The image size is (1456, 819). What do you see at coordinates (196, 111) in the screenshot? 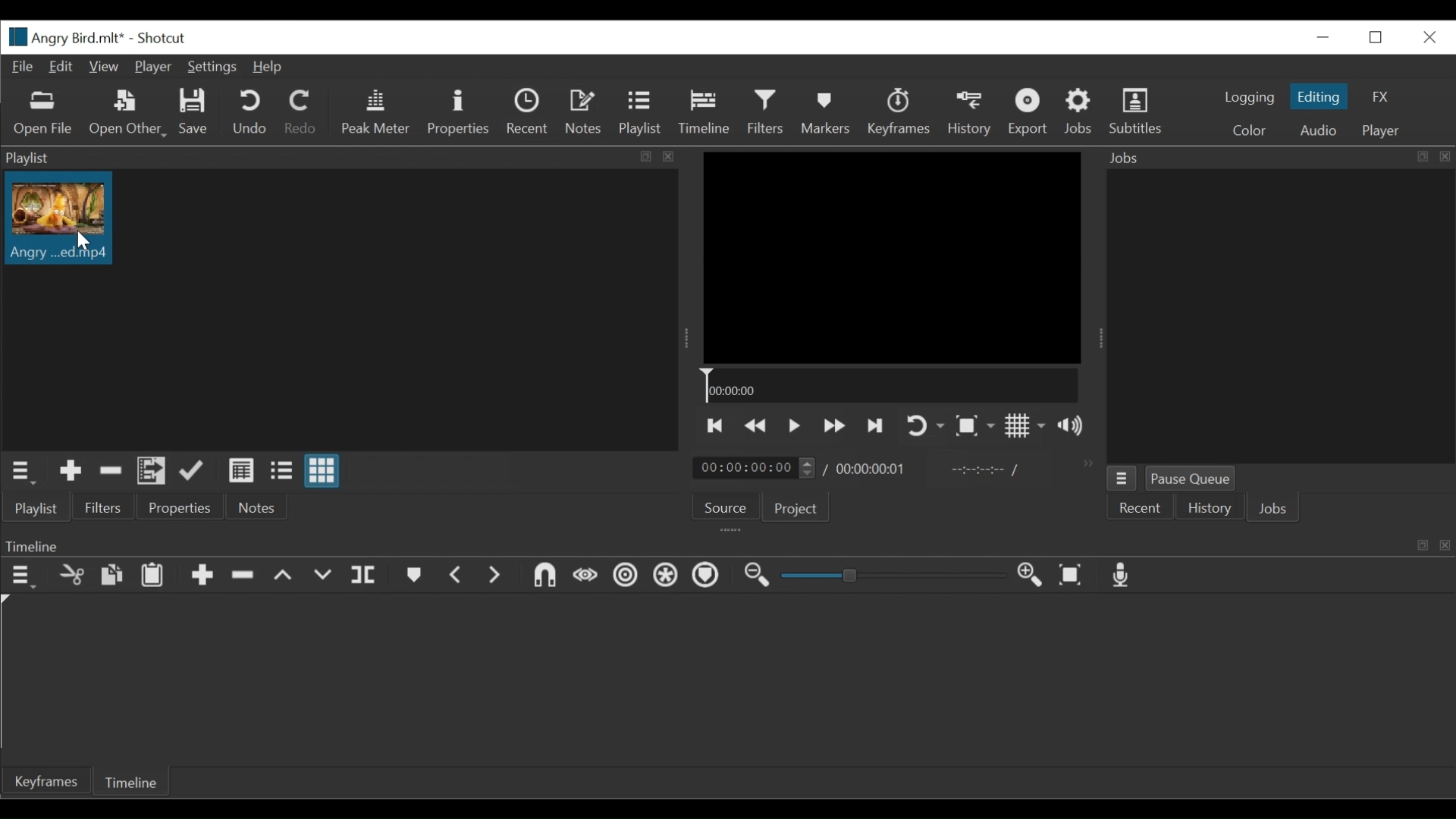
I see `Save` at bounding box center [196, 111].